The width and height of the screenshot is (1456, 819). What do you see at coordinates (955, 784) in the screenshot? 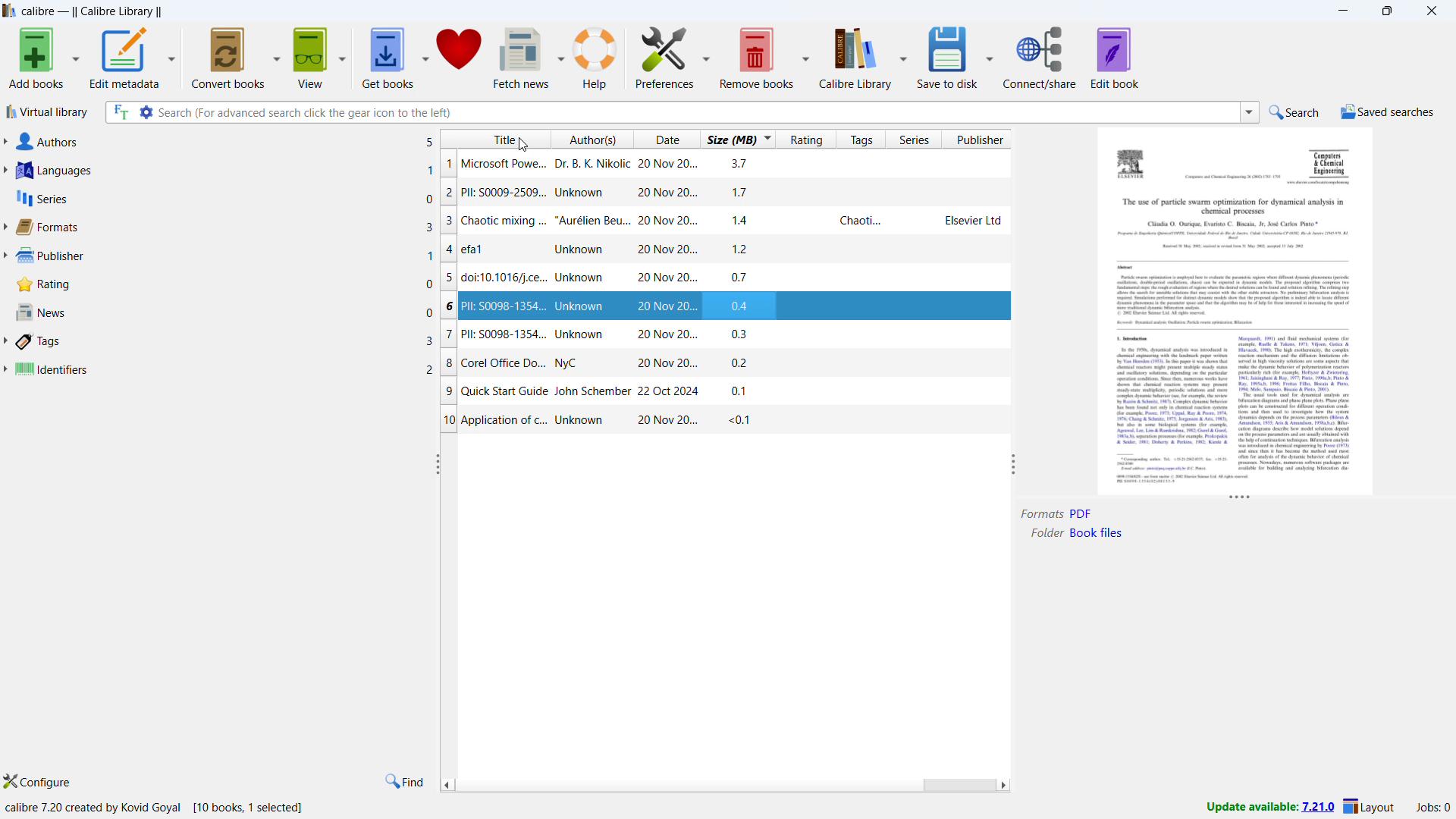
I see `scrollbar` at bounding box center [955, 784].